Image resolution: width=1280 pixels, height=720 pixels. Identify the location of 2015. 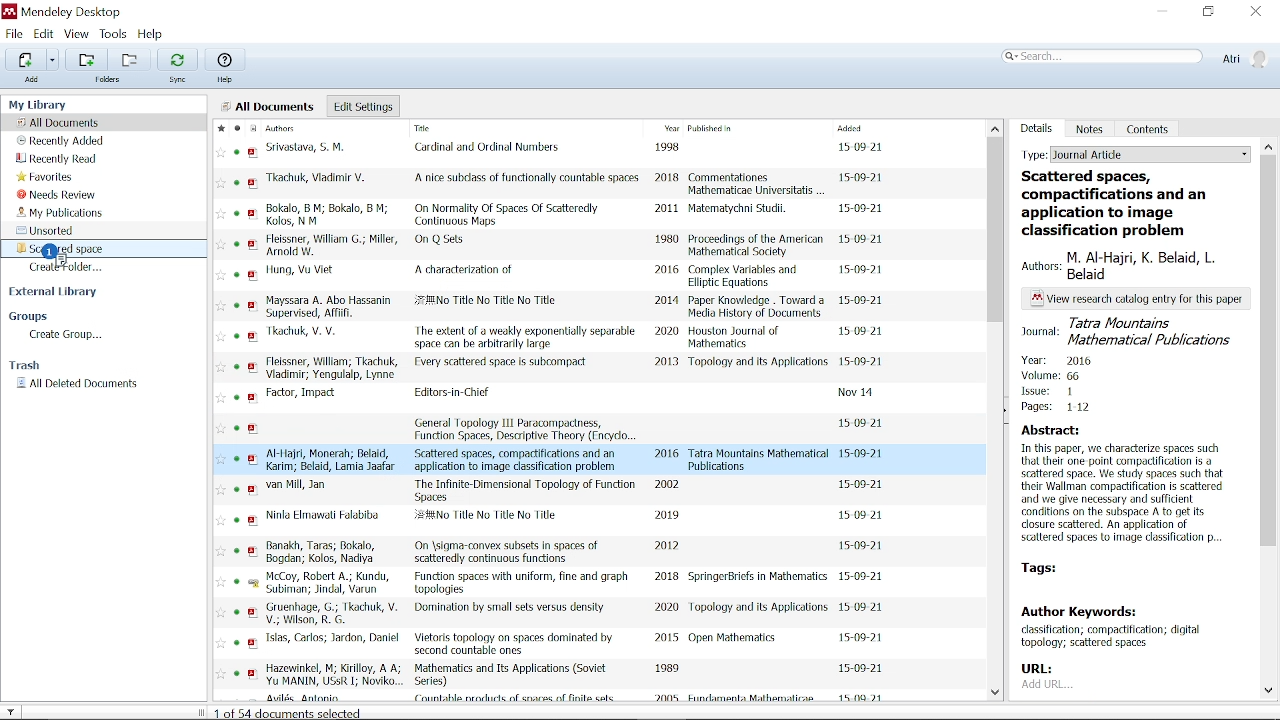
(666, 640).